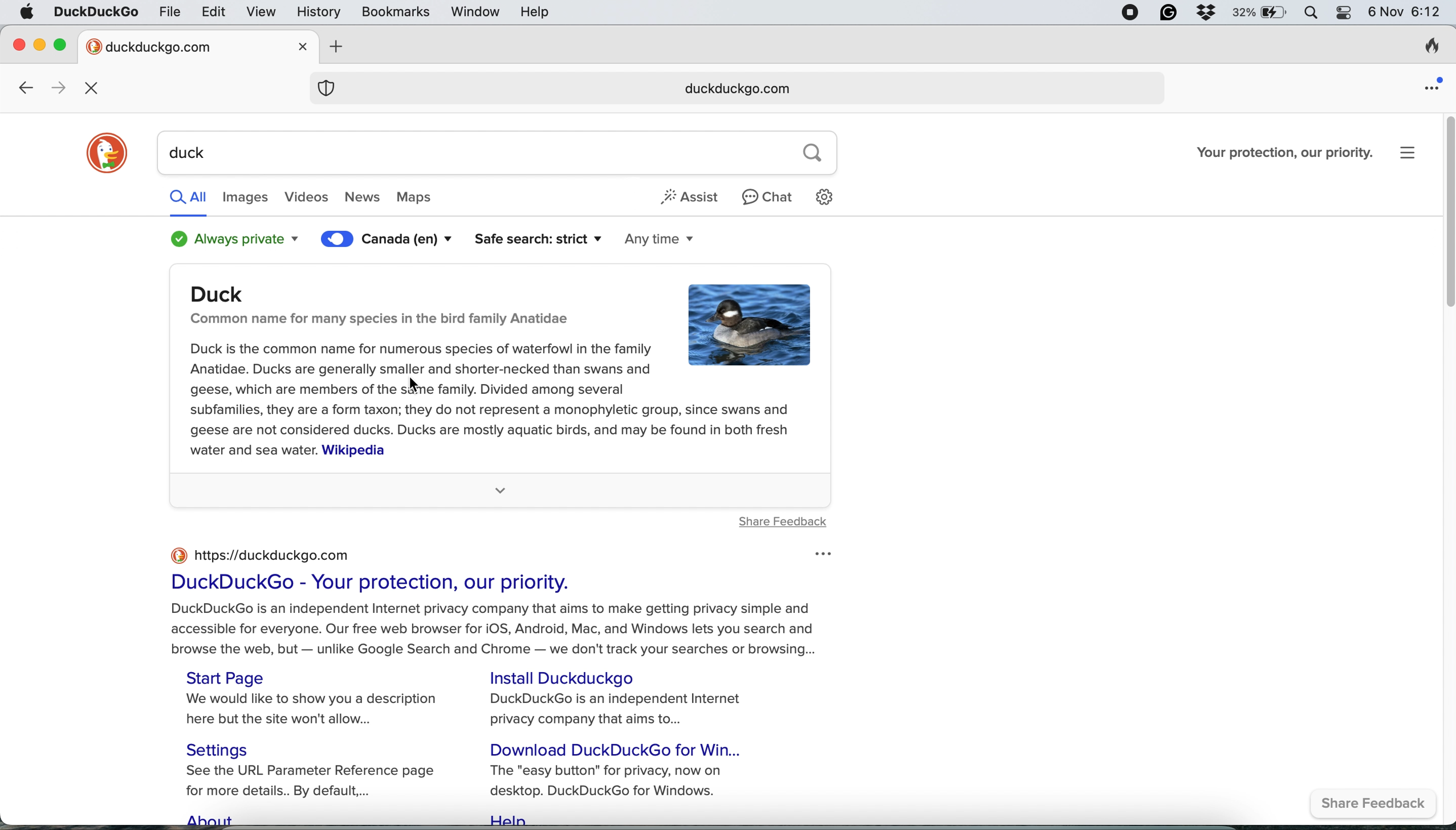 The image size is (1456, 830). I want to click on Download DuckDuckGo for Win..., so click(621, 748).